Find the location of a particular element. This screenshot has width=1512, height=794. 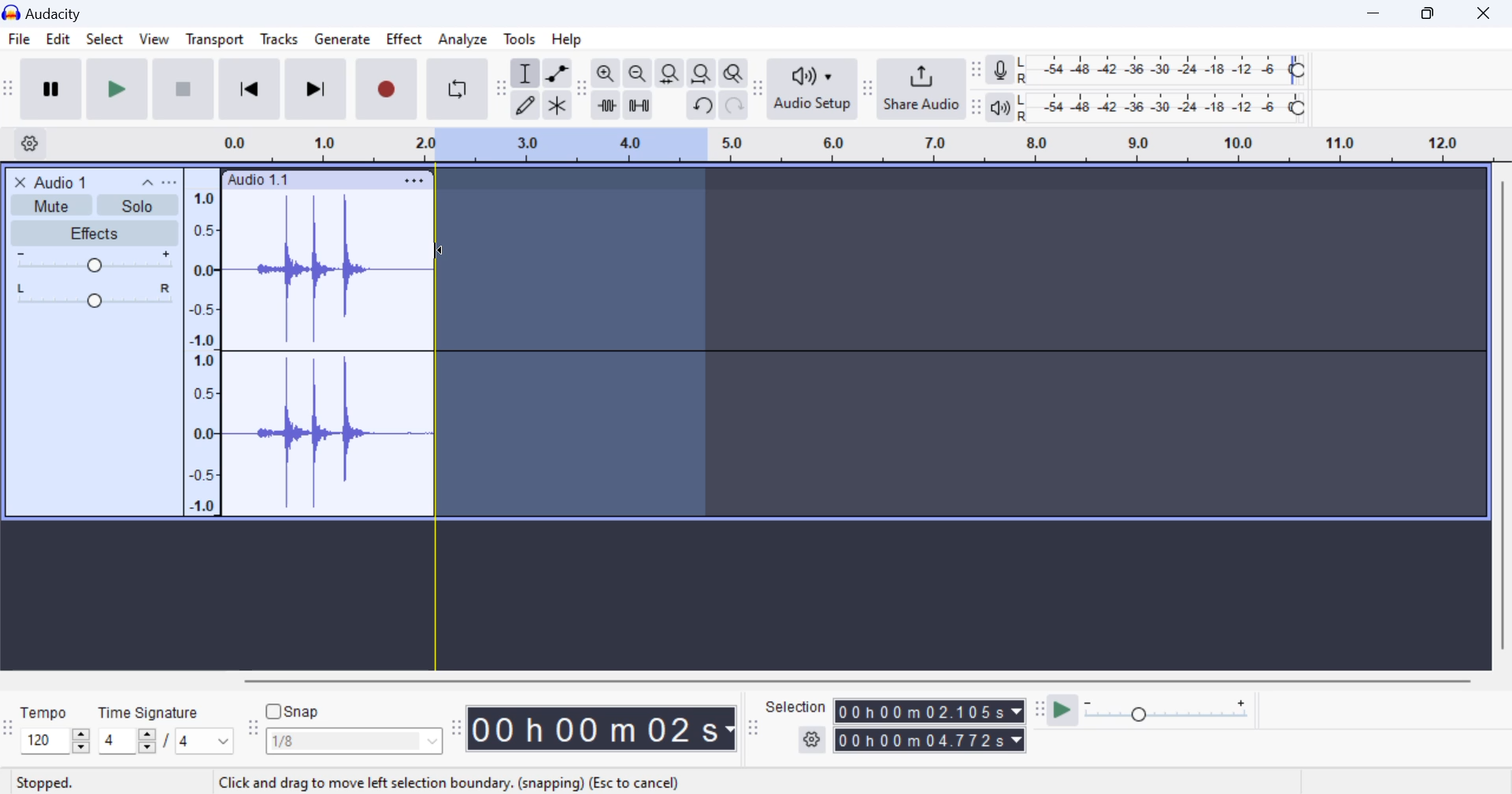

draw tool is located at coordinates (525, 106).